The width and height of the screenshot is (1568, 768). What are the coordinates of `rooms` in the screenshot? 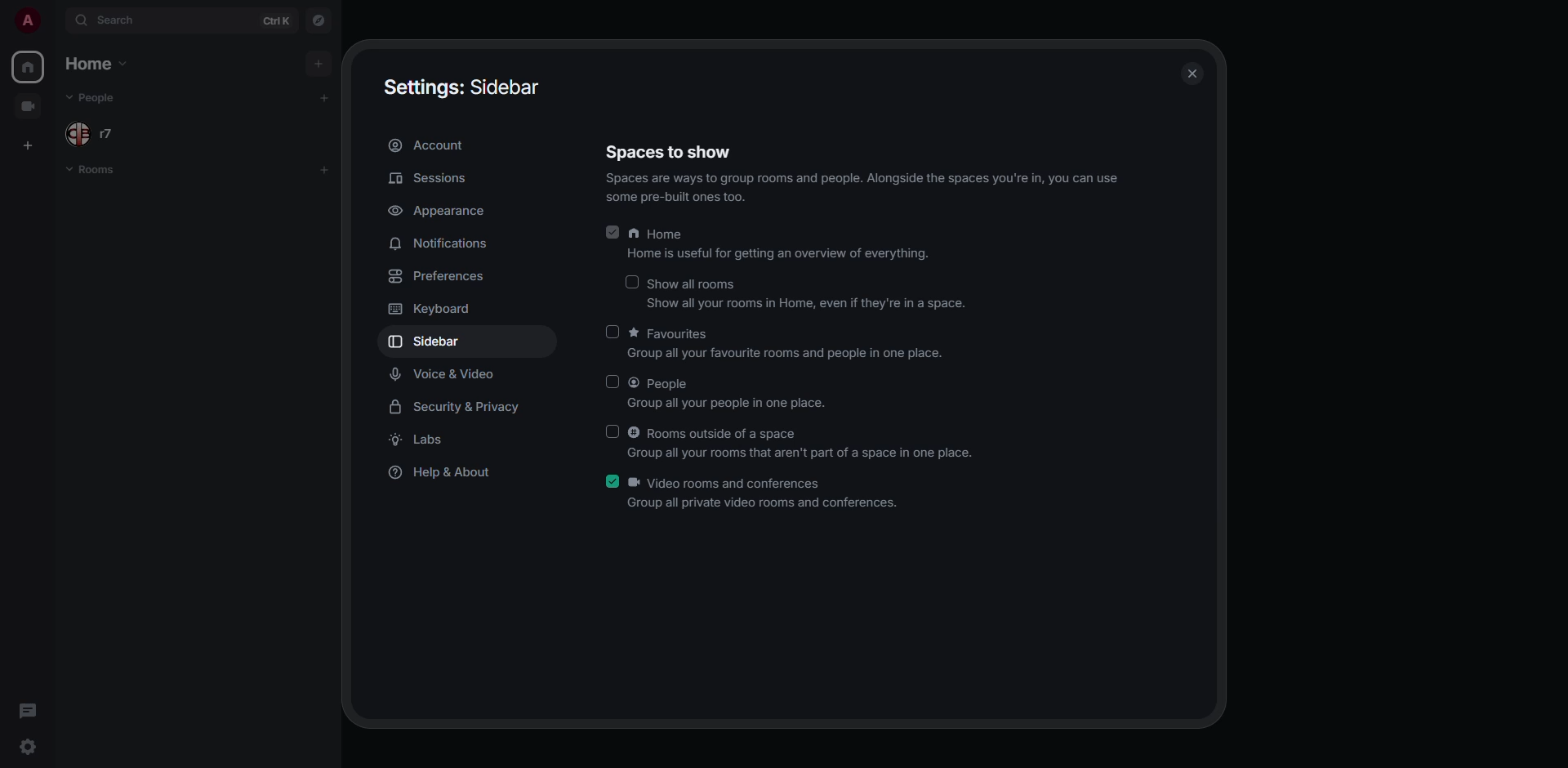 It's located at (91, 171).